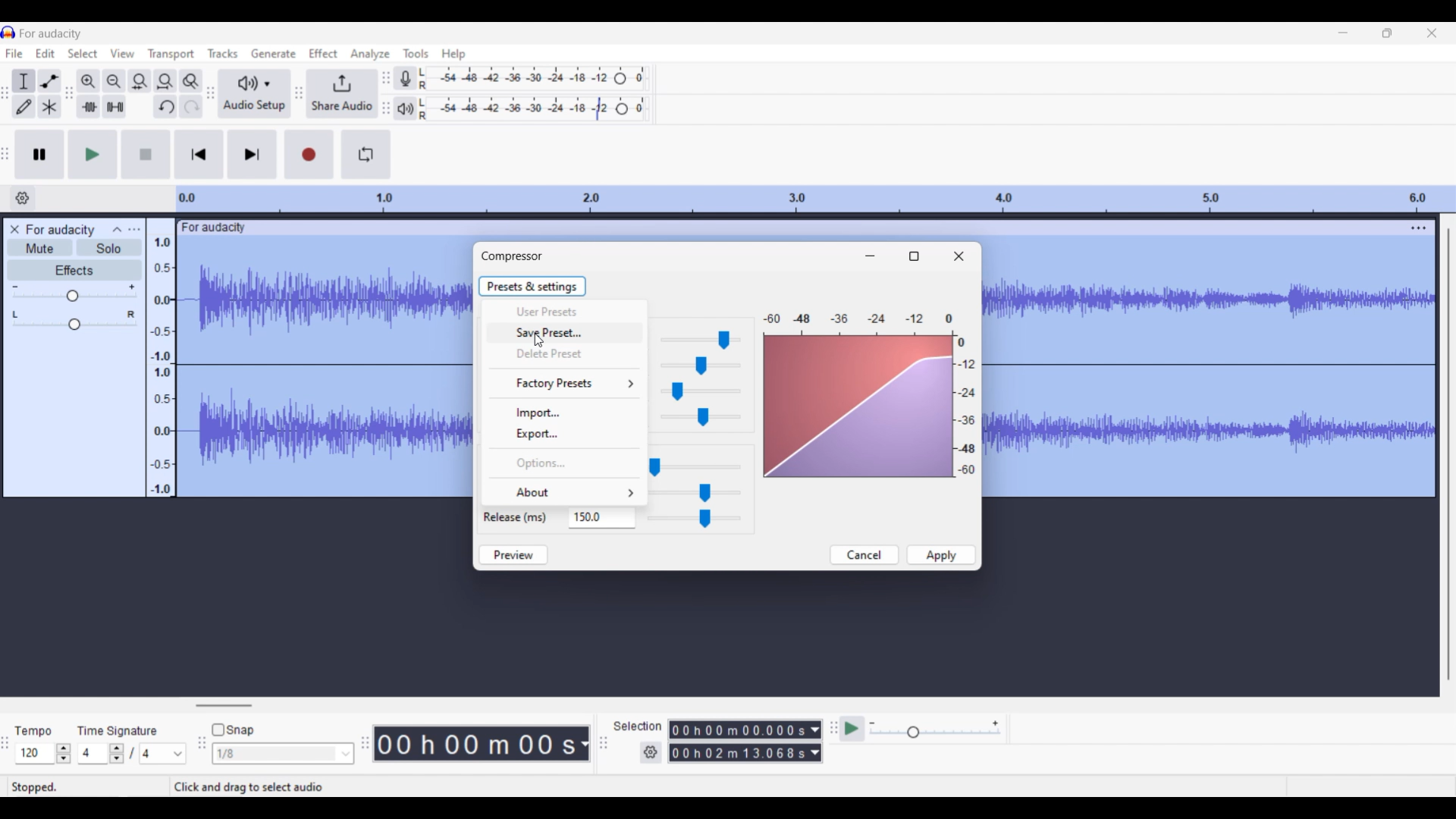 Image resolution: width=1456 pixels, height=819 pixels. Describe the element at coordinates (118, 229) in the screenshot. I see `Collpase` at that location.